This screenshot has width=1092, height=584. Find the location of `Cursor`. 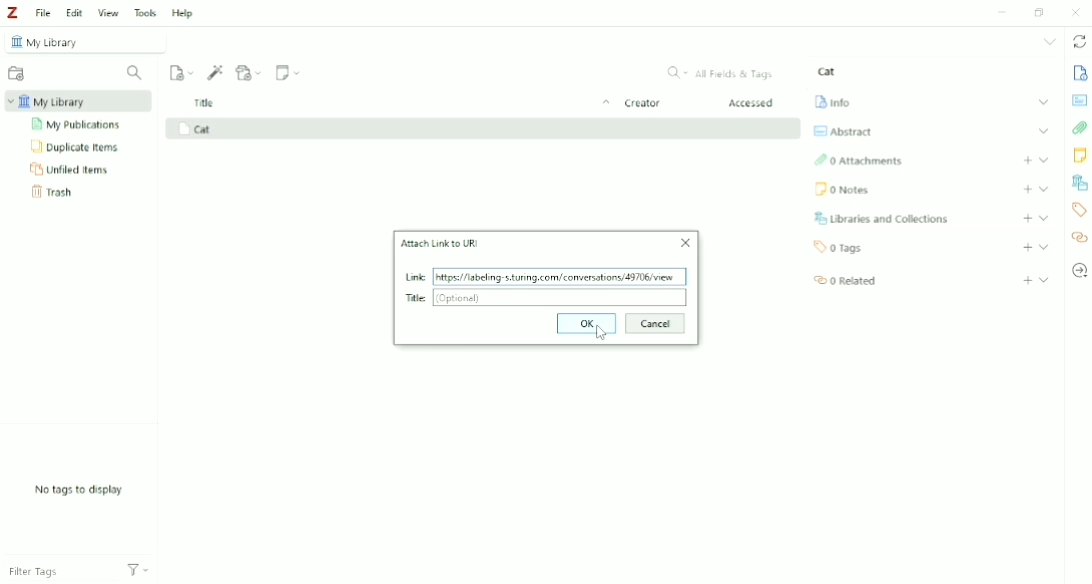

Cursor is located at coordinates (602, 333).